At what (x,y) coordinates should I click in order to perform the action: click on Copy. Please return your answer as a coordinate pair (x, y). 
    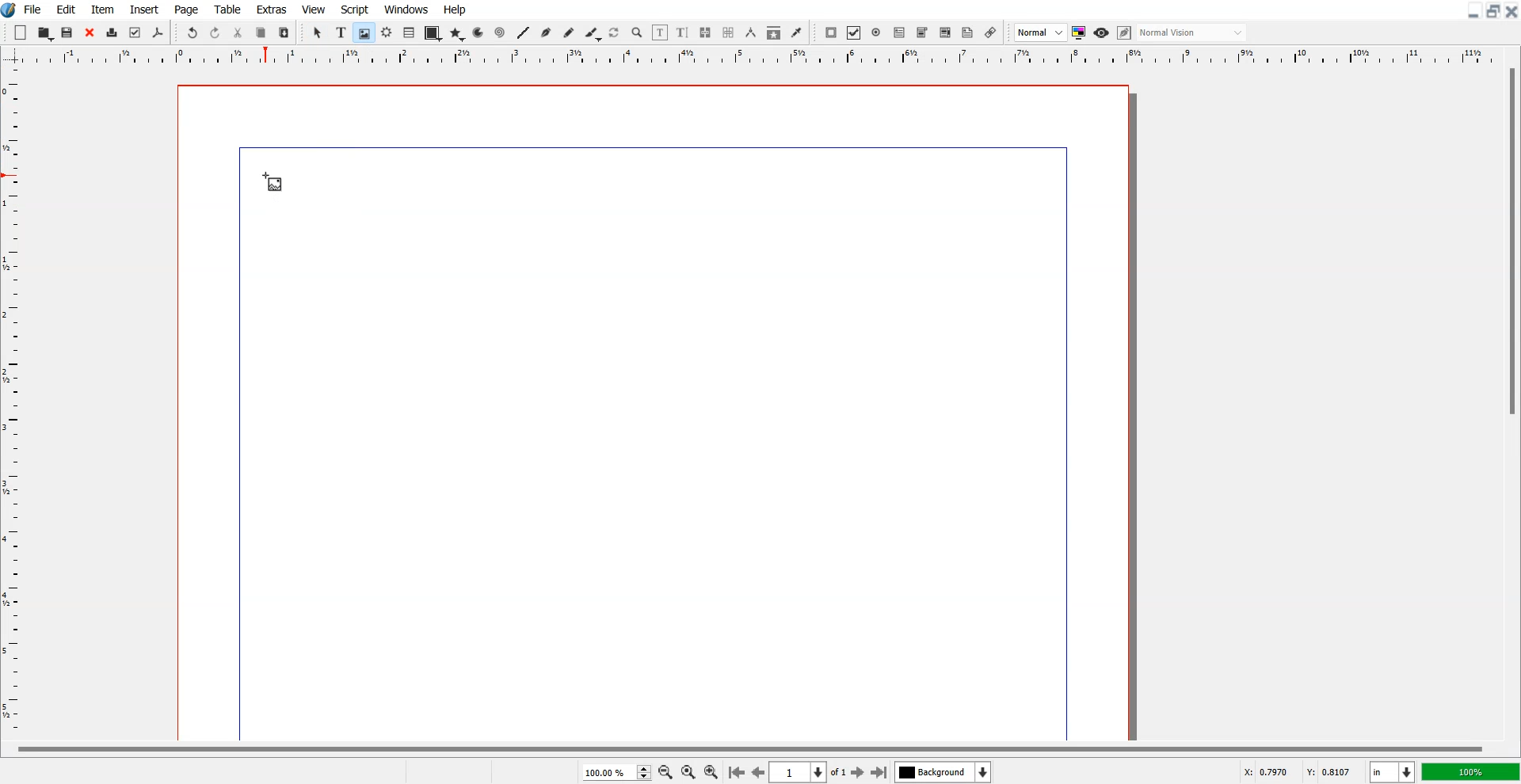
    Looking at the image, I should click on (261, 32).